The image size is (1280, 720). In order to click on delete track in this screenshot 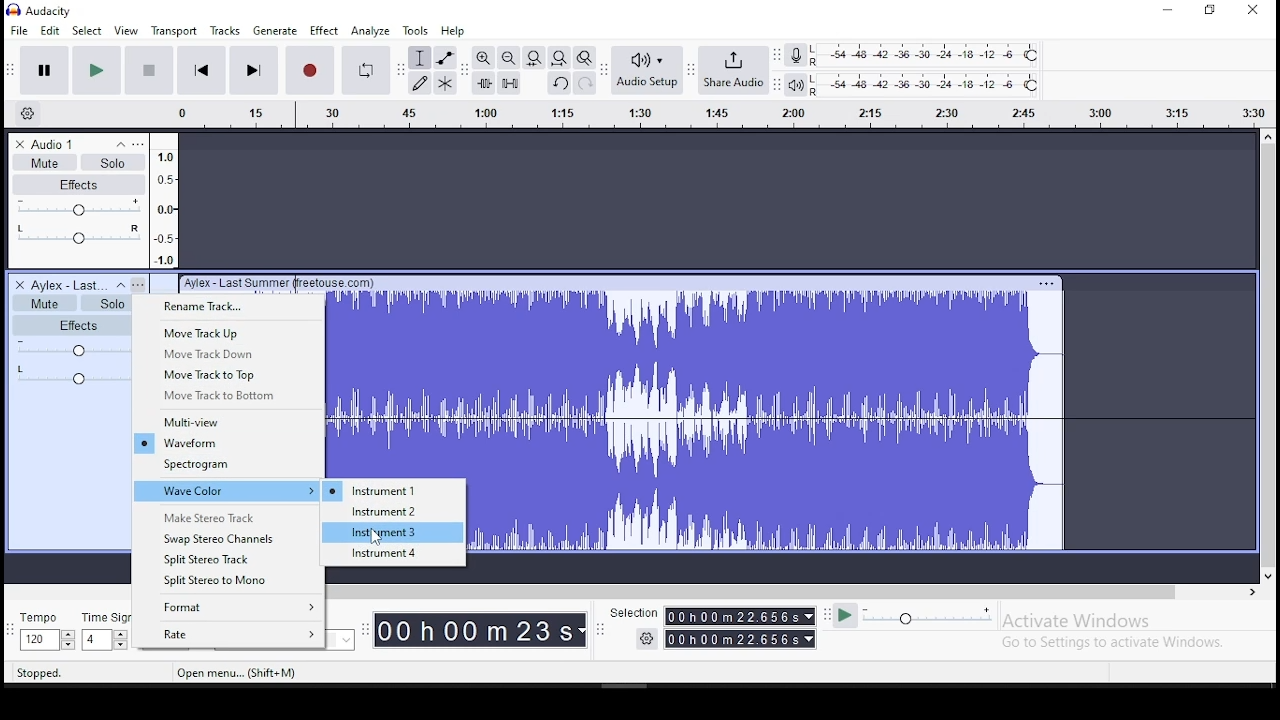, I will do `click(20, 145)`.